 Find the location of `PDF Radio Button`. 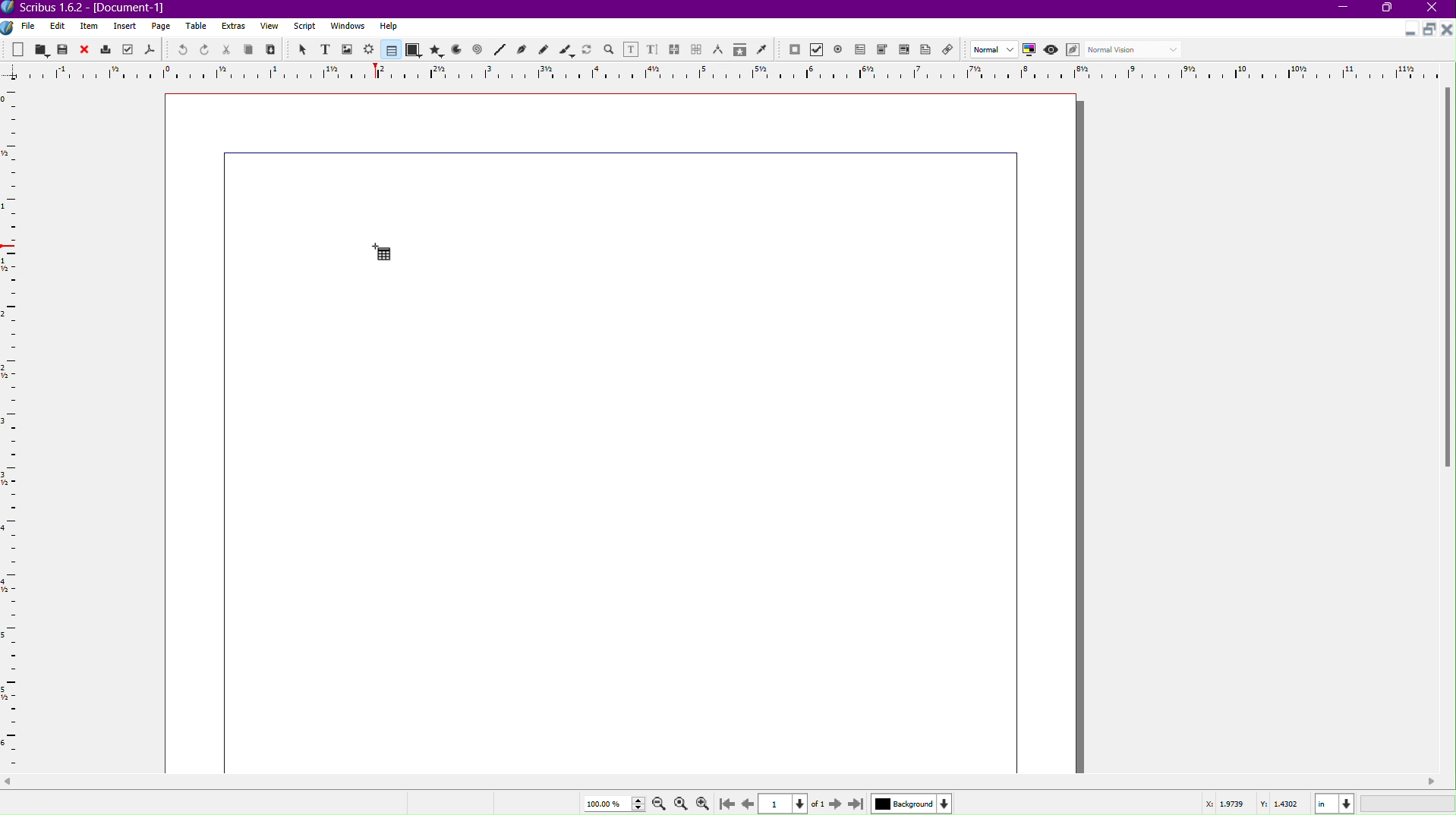

PDF Radio Button is located at coordinates (841, 49).